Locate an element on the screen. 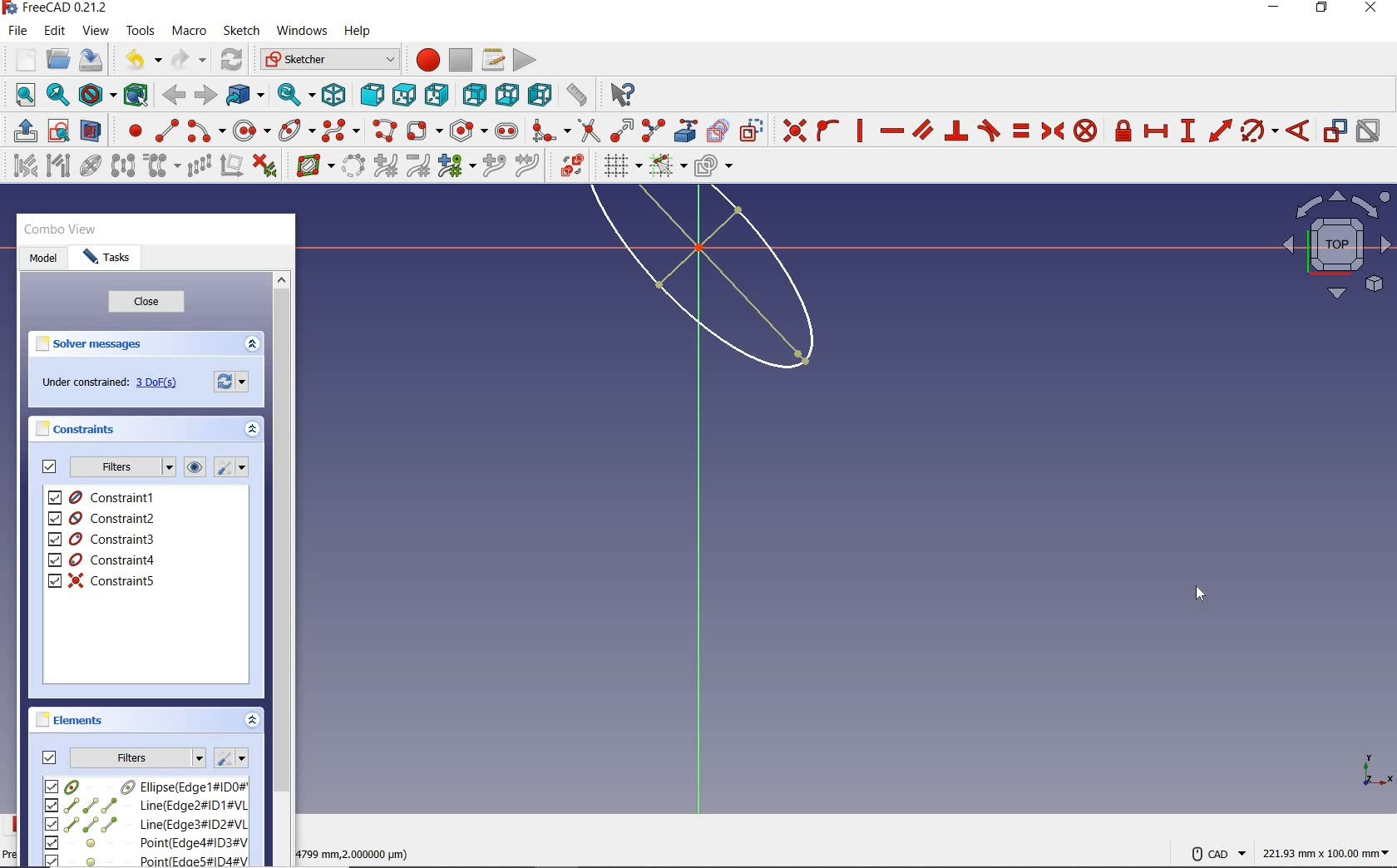 The height and width of the screenshot is (868, 1397). model is located at coordinates (43, 259).